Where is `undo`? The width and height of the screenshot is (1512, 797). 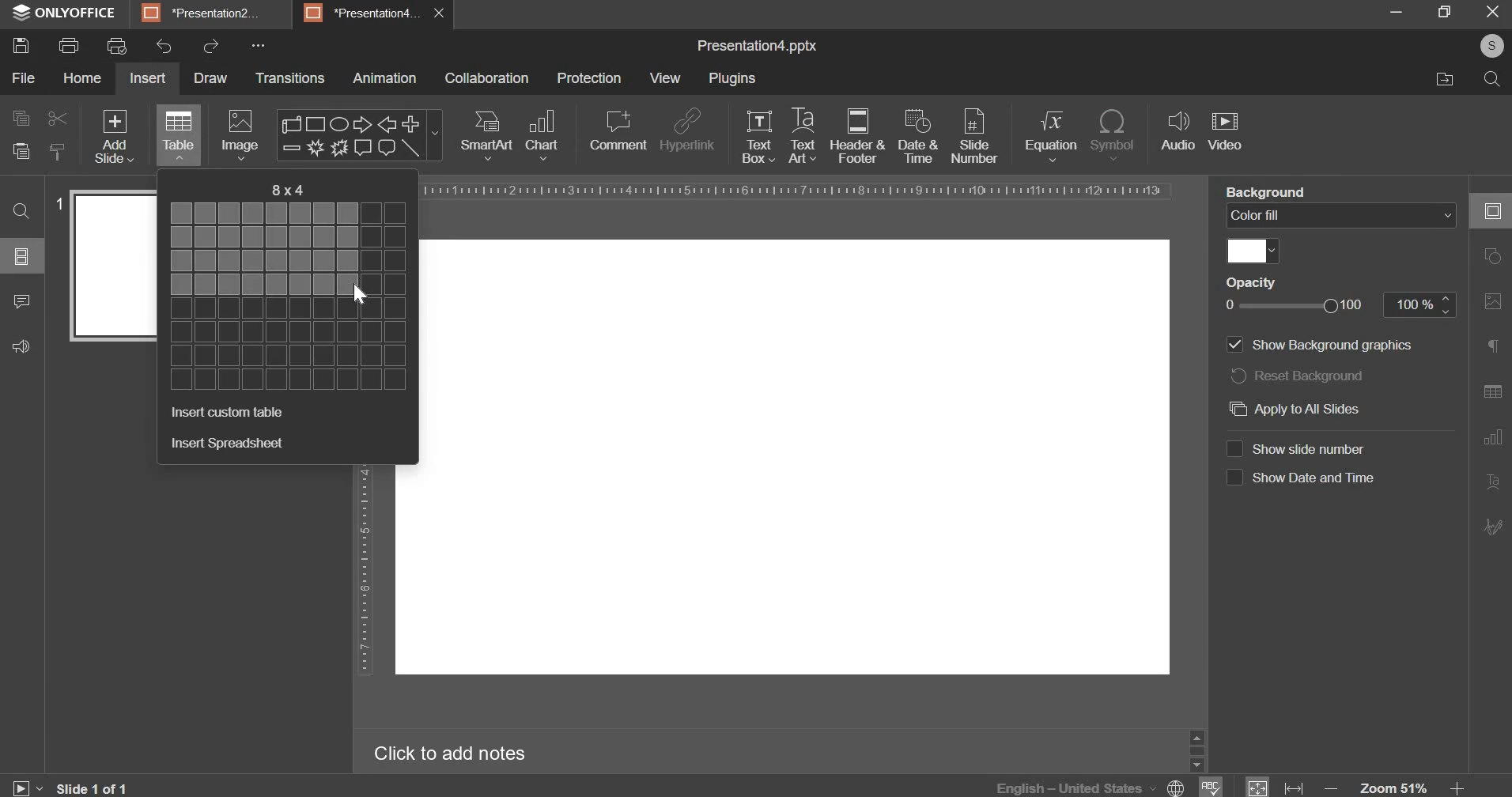
undo is located at coordinates (164, 46).